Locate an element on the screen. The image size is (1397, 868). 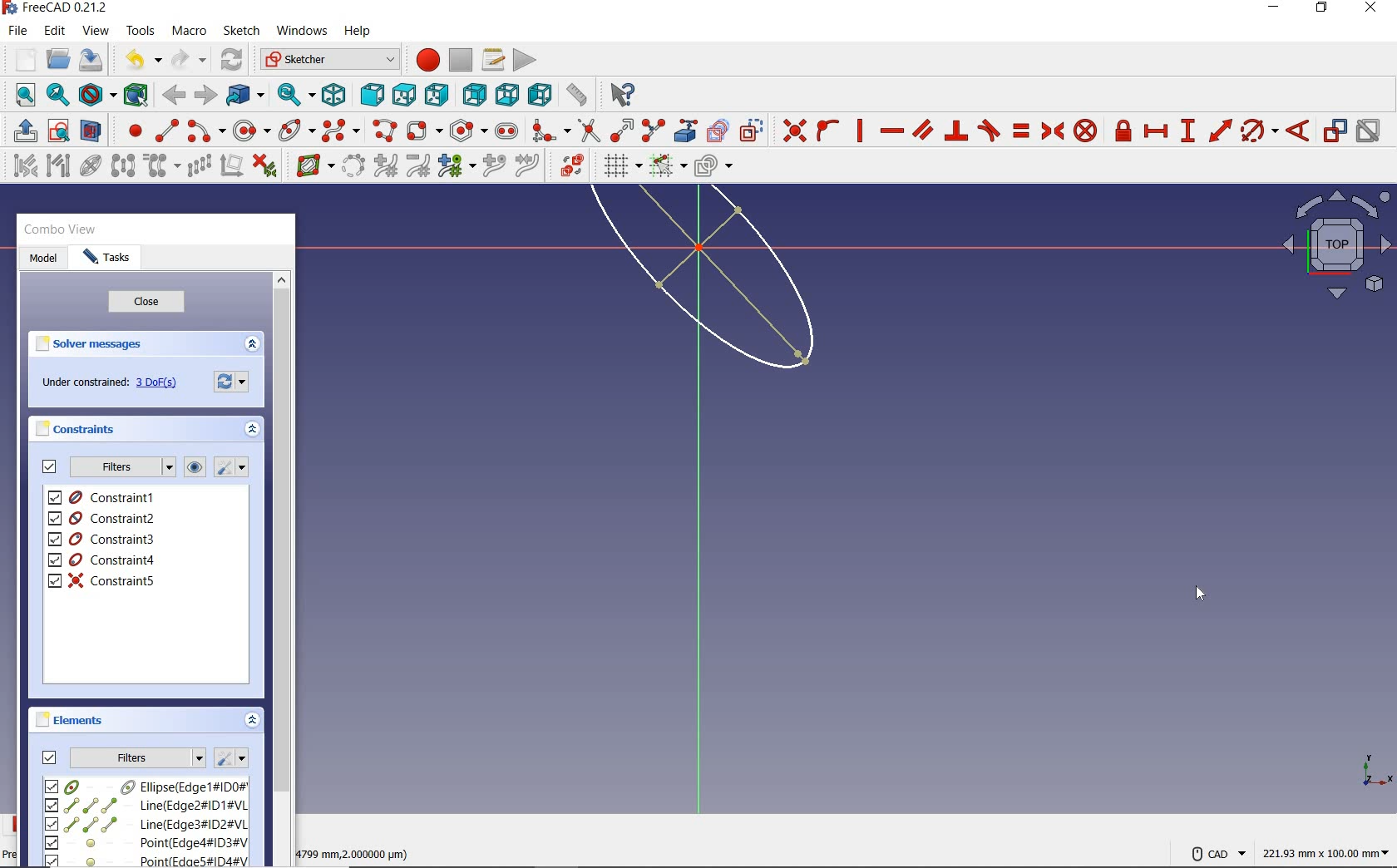
settings is located at coordinates (230, 758).